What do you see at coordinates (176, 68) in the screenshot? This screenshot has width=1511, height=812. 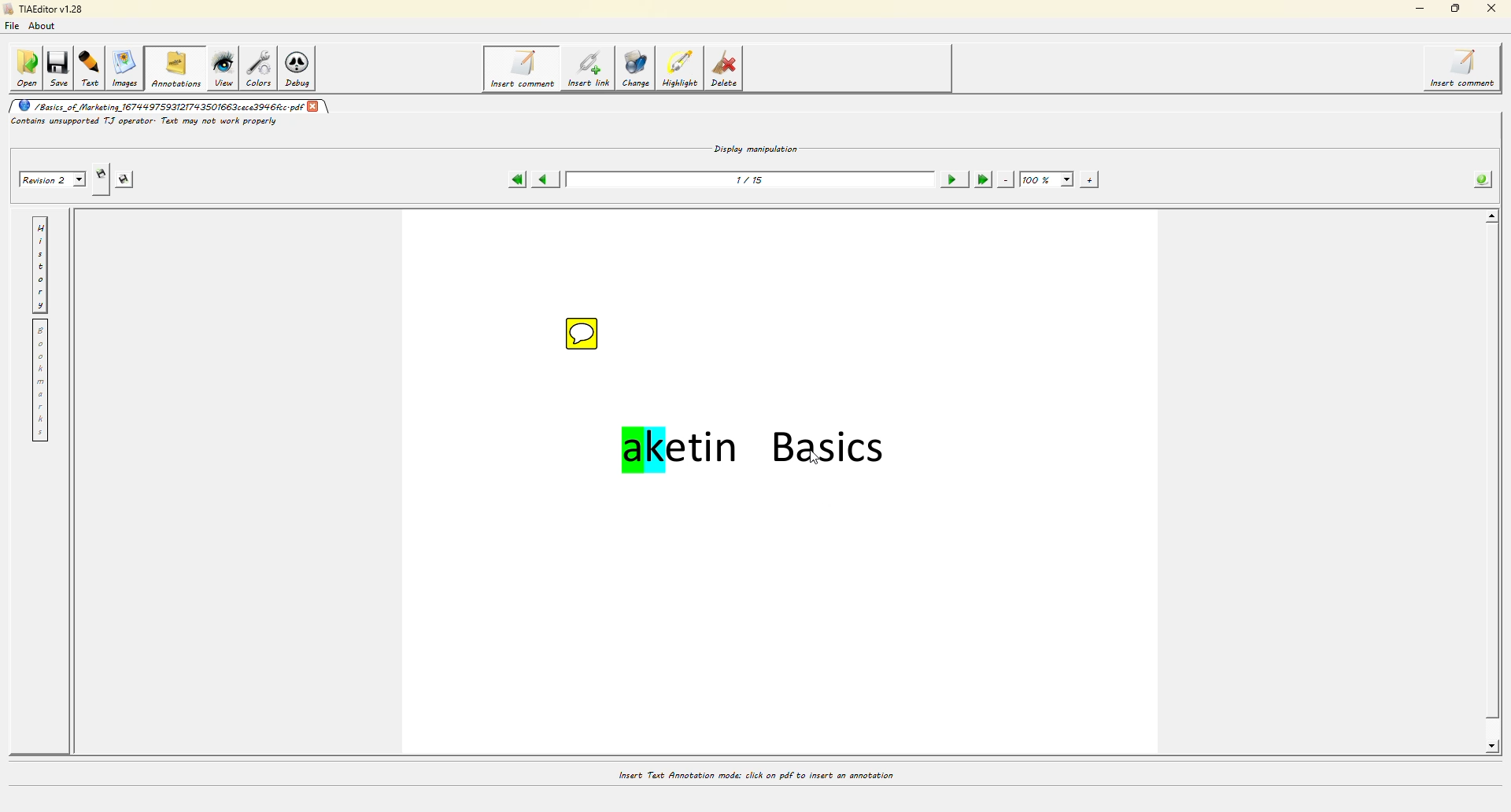 I see `annotations` at bounding box center [176, 68].